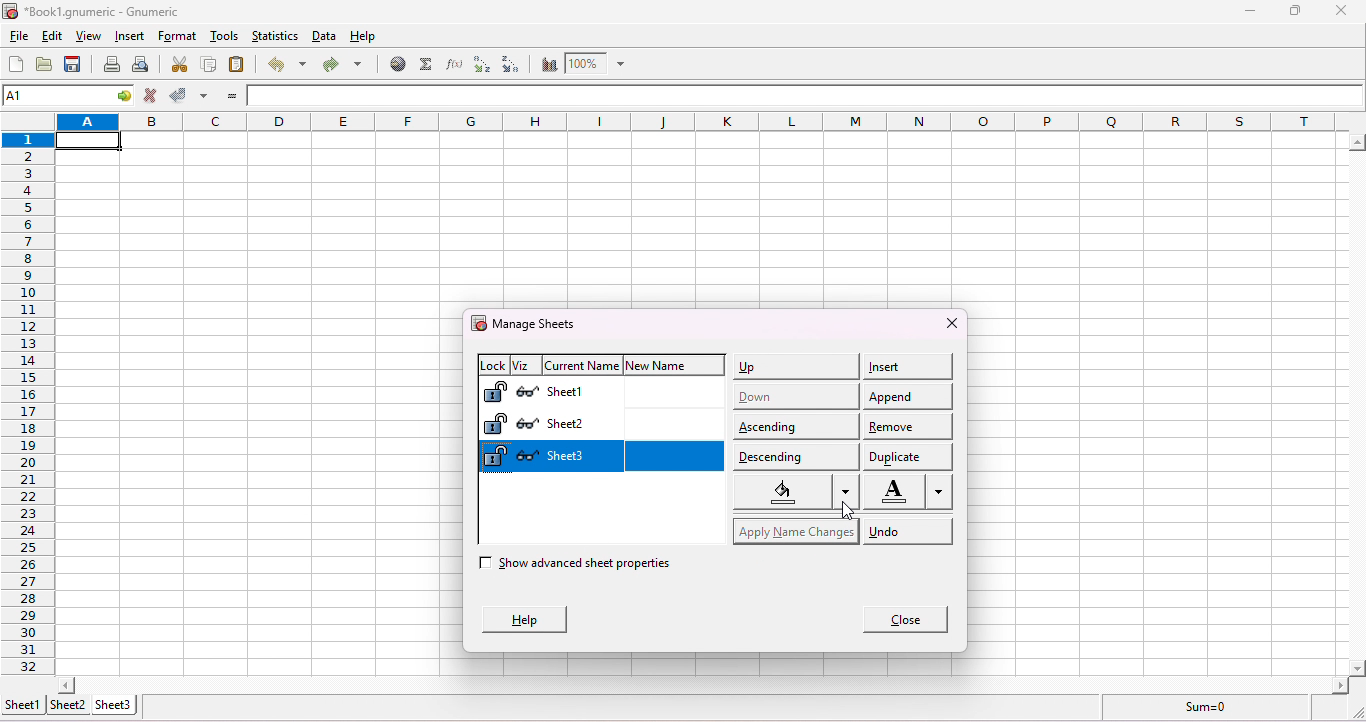  What do you see at coordinates (522, 362) in the screenshot?
I see `viz` at bounding box center [522, 362].